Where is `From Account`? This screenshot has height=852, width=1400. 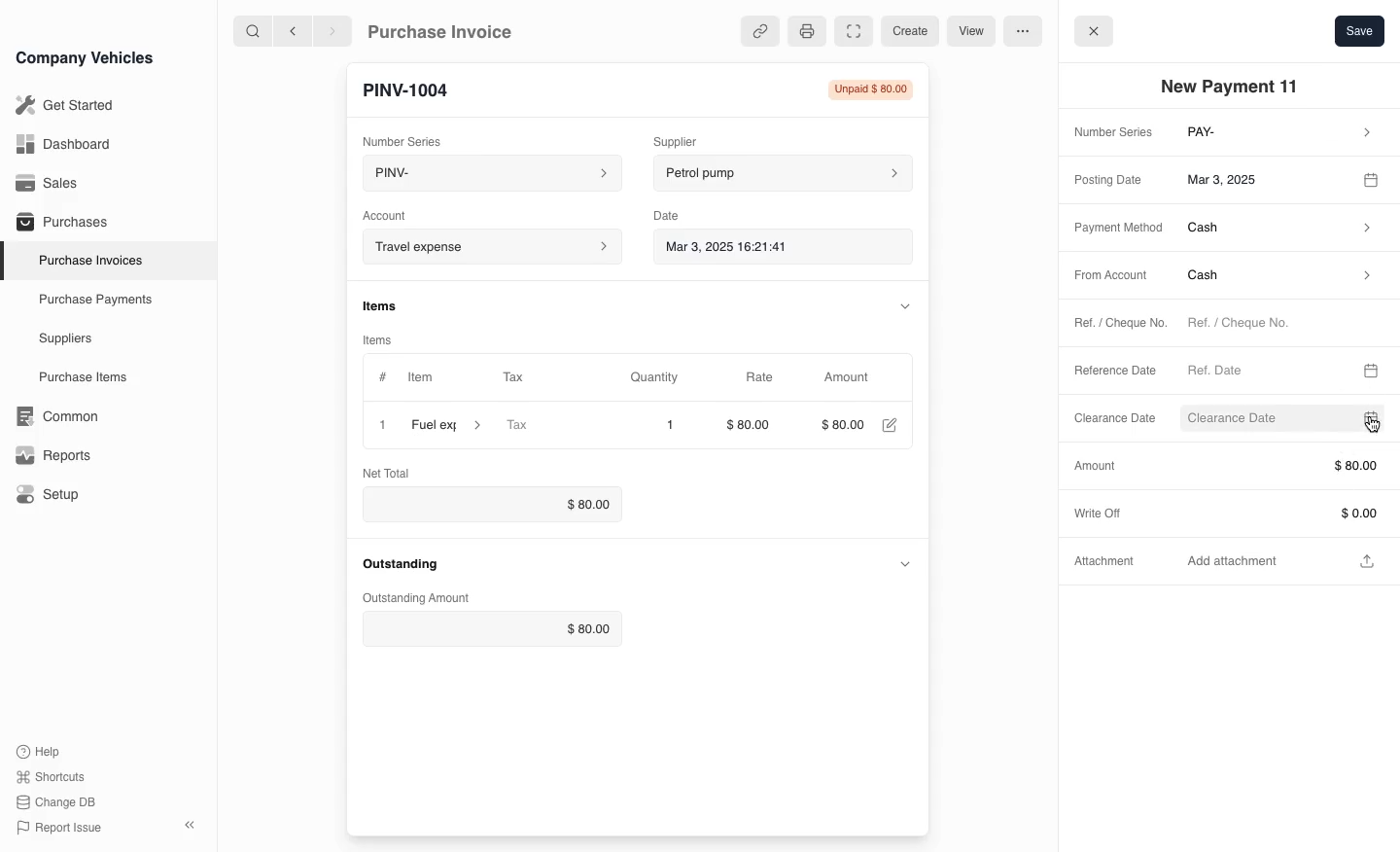 From Account is located at coordinates (1104, 276).